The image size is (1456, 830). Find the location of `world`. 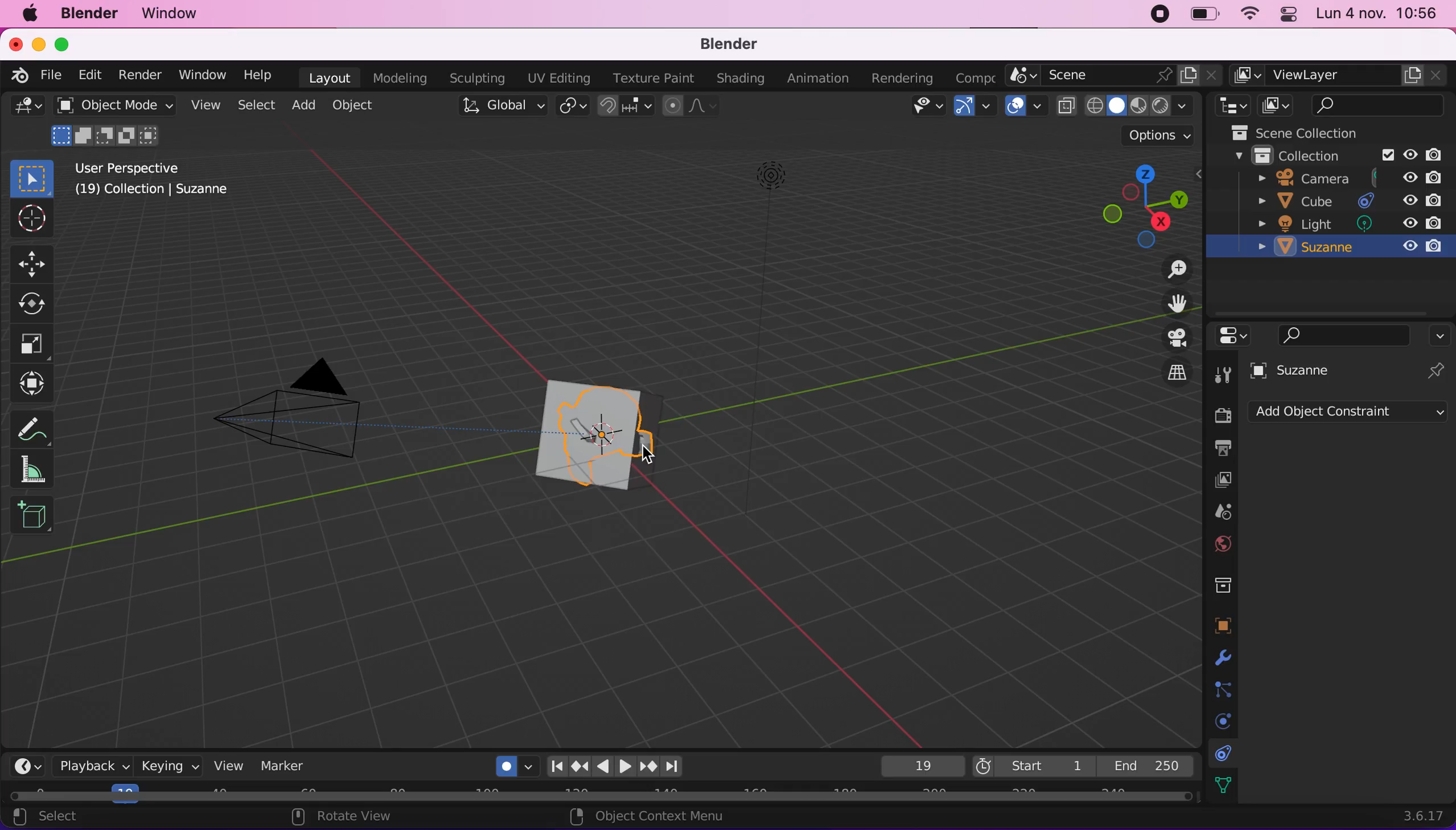

world is located at coordinates (1223, 543).